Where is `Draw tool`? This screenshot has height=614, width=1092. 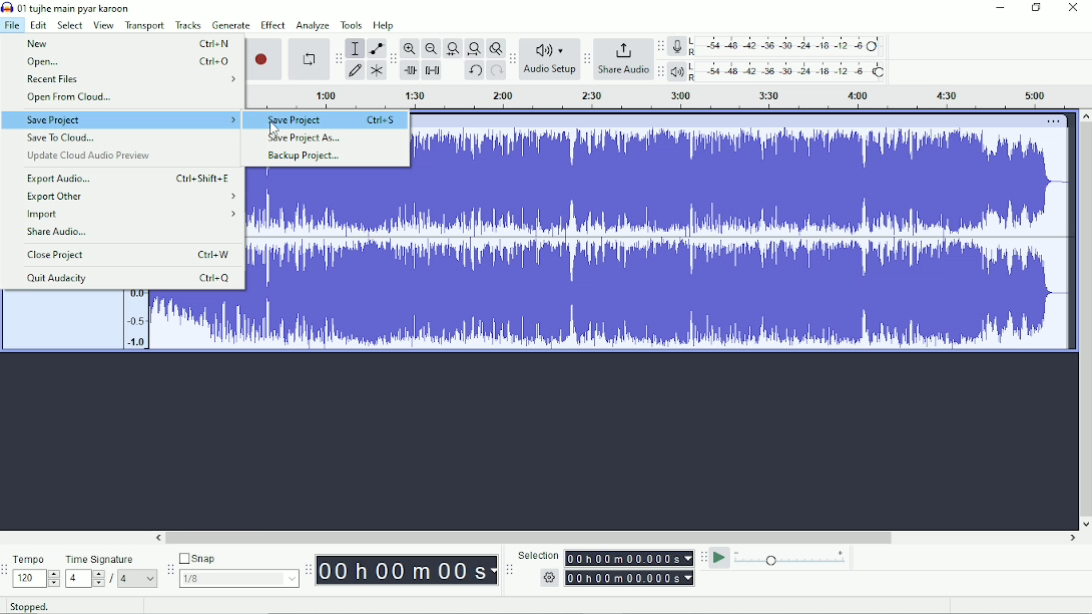
Draw tool is located at coordinates (357, 71).